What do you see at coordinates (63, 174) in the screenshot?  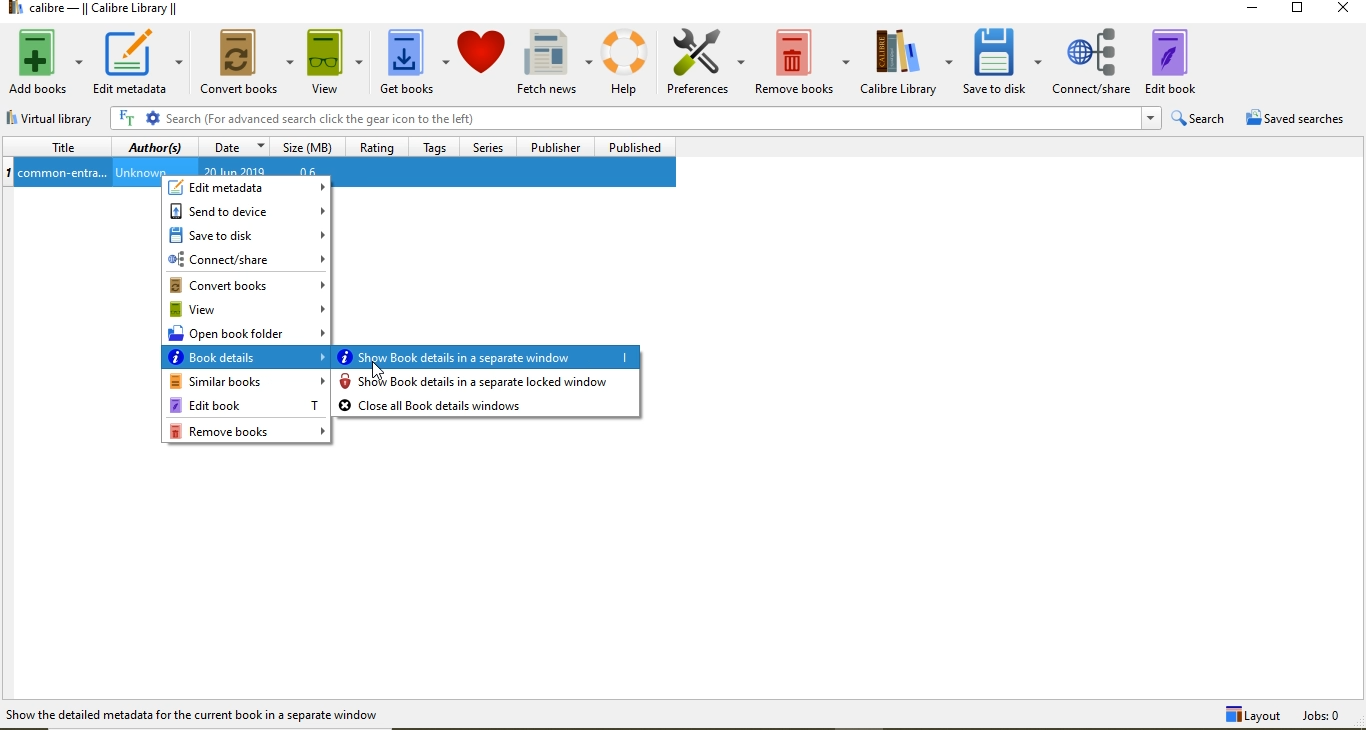 I see `common-entra...` at bounding box center [63, 174].